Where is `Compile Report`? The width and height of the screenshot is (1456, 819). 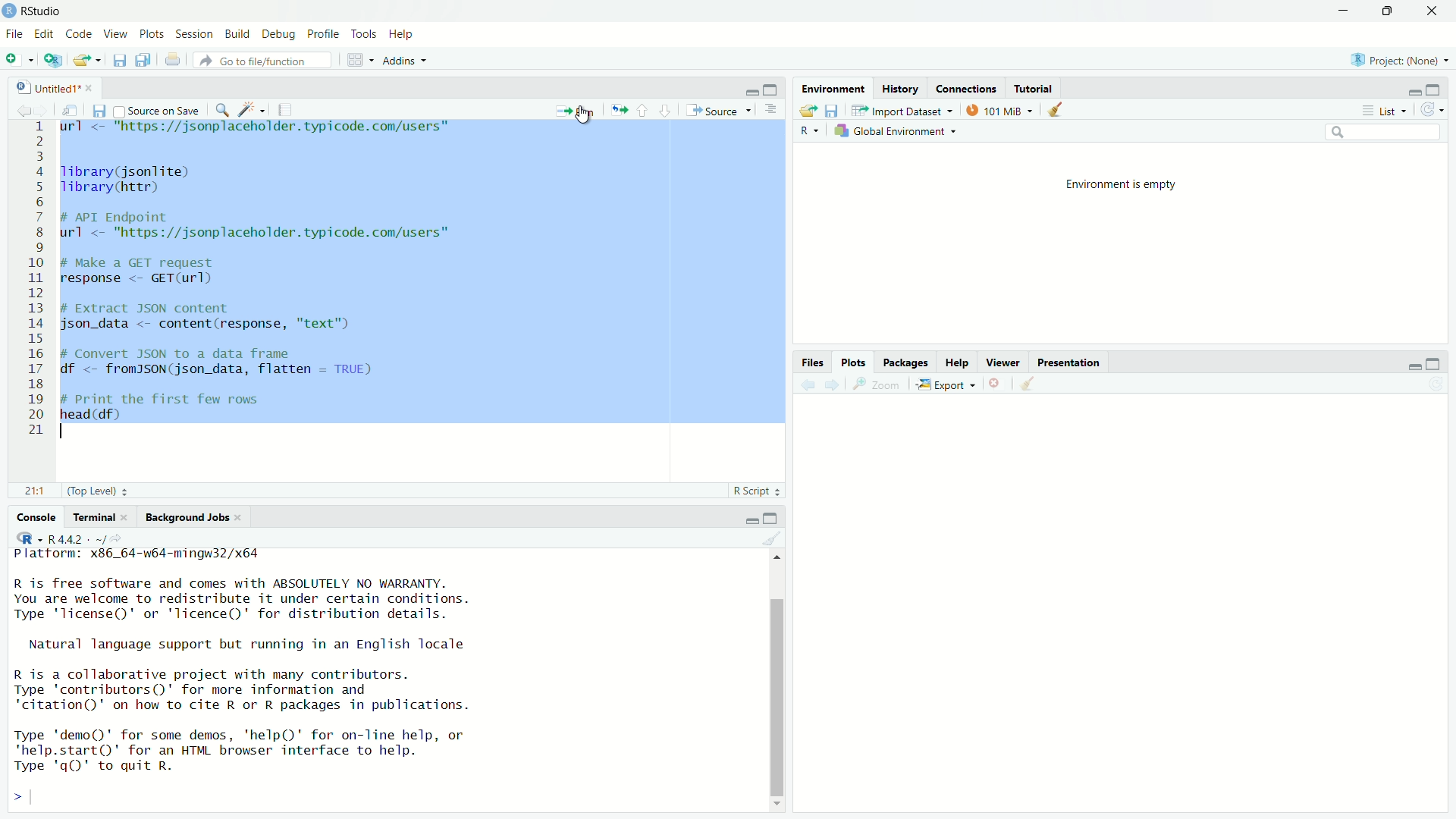
Compile Report is located at coordinates (287, 109).